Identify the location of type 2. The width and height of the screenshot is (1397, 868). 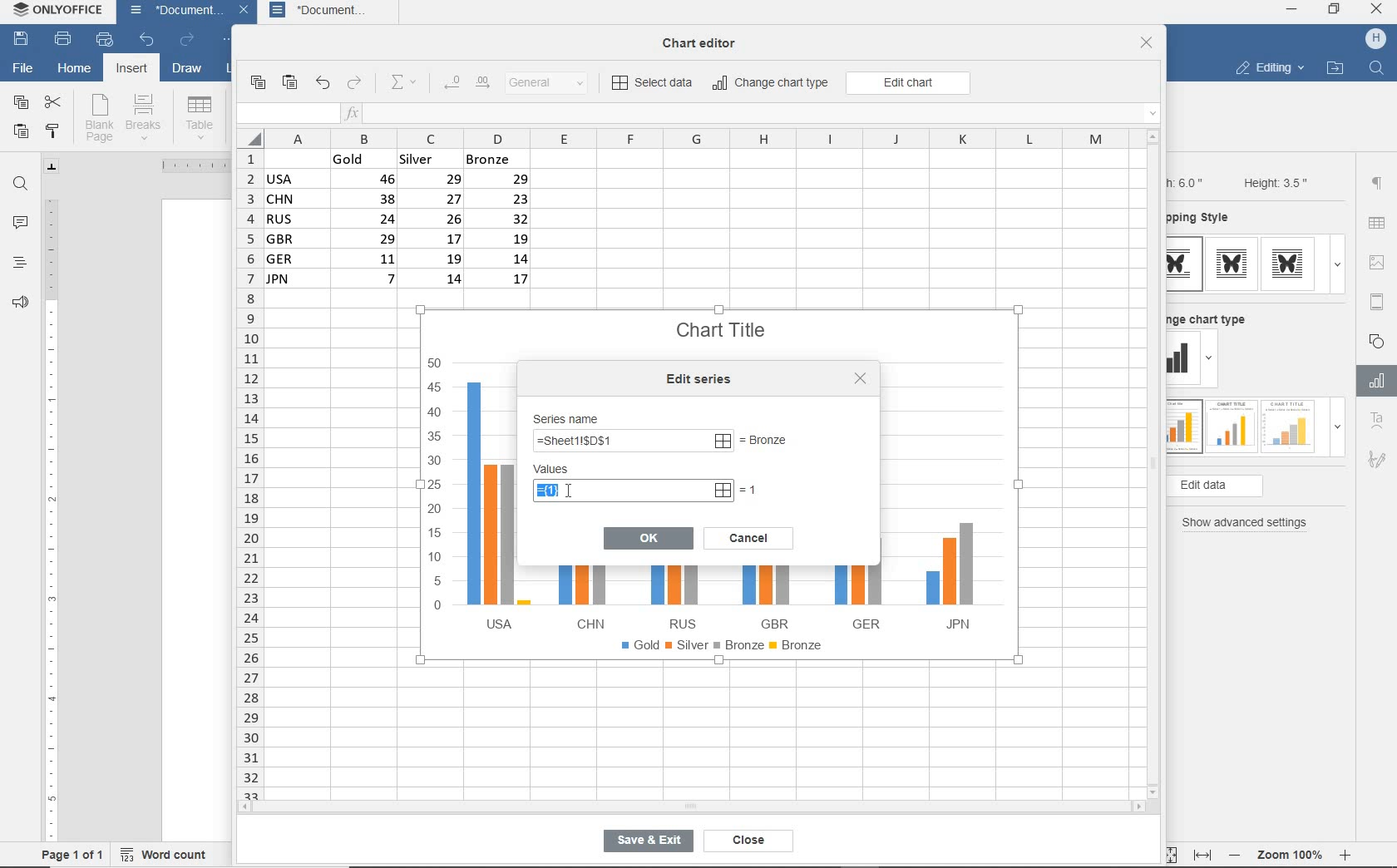
(1232, 264).